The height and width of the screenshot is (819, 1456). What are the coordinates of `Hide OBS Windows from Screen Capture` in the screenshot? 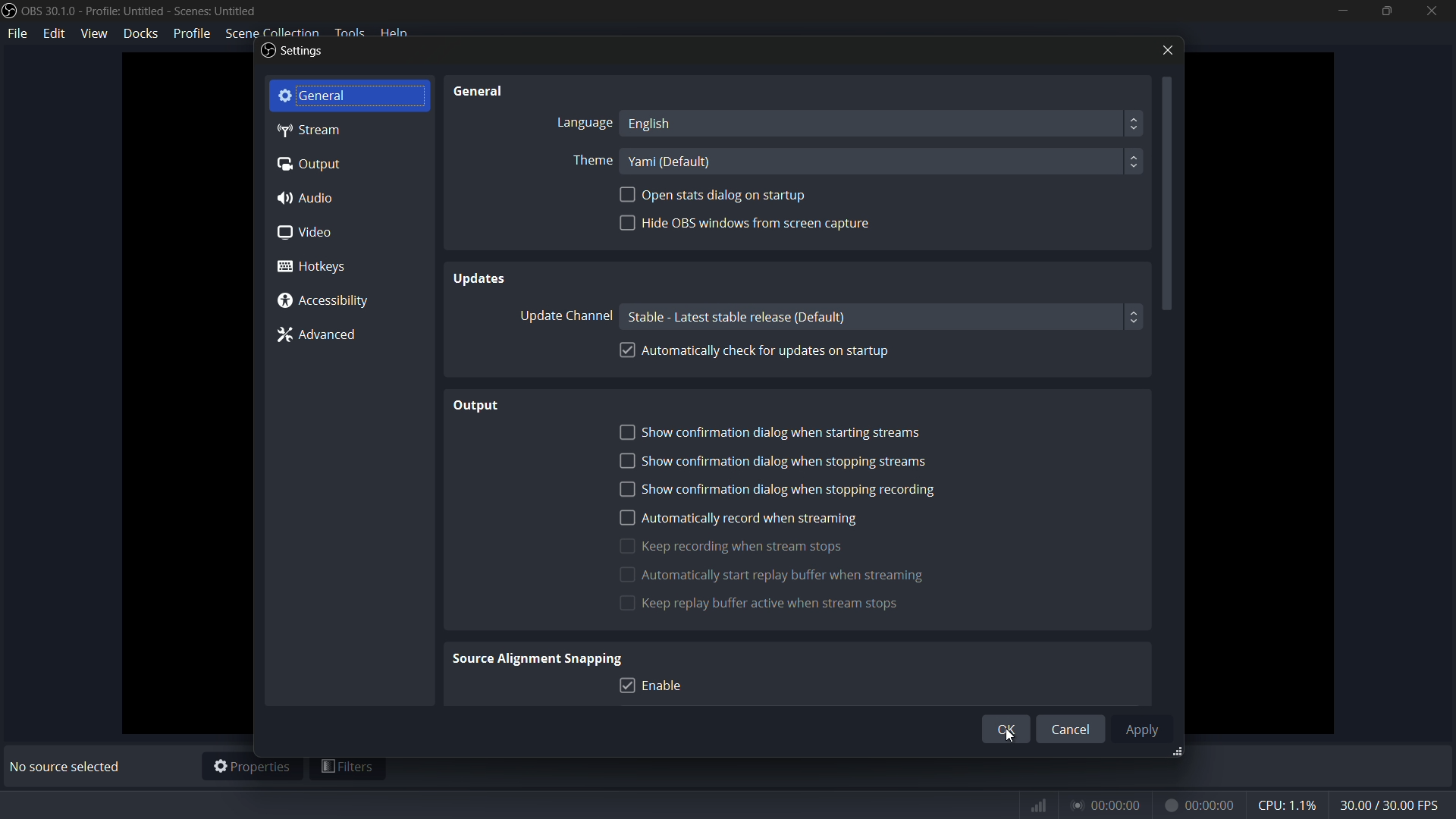 It's located at (749, 228).